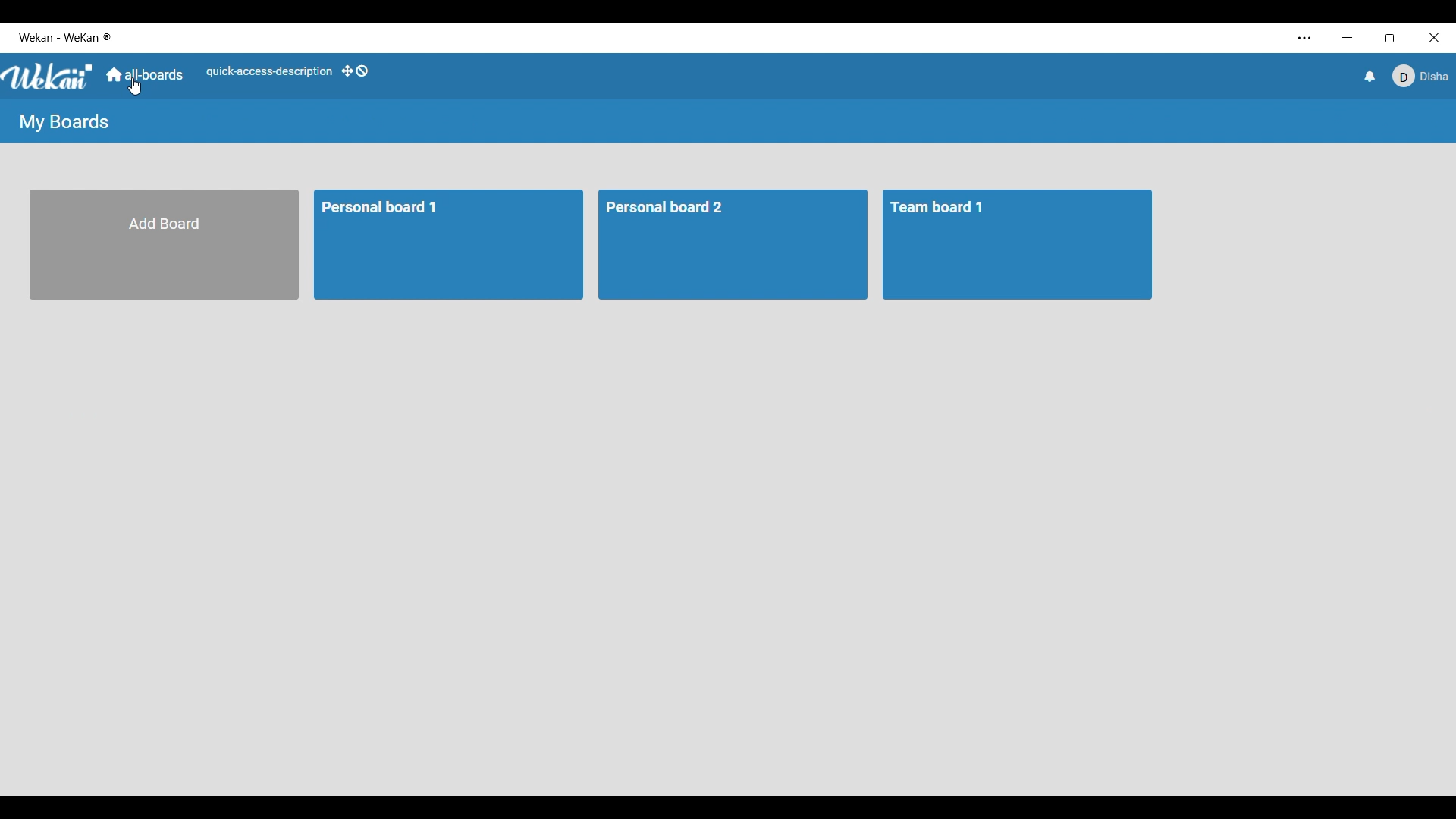 The width and height of the screenshot is (1456, 819). What do you see at coordinates (49, 77) in the screenshot?
I see `Software logo` at bounding box center [49, 77].